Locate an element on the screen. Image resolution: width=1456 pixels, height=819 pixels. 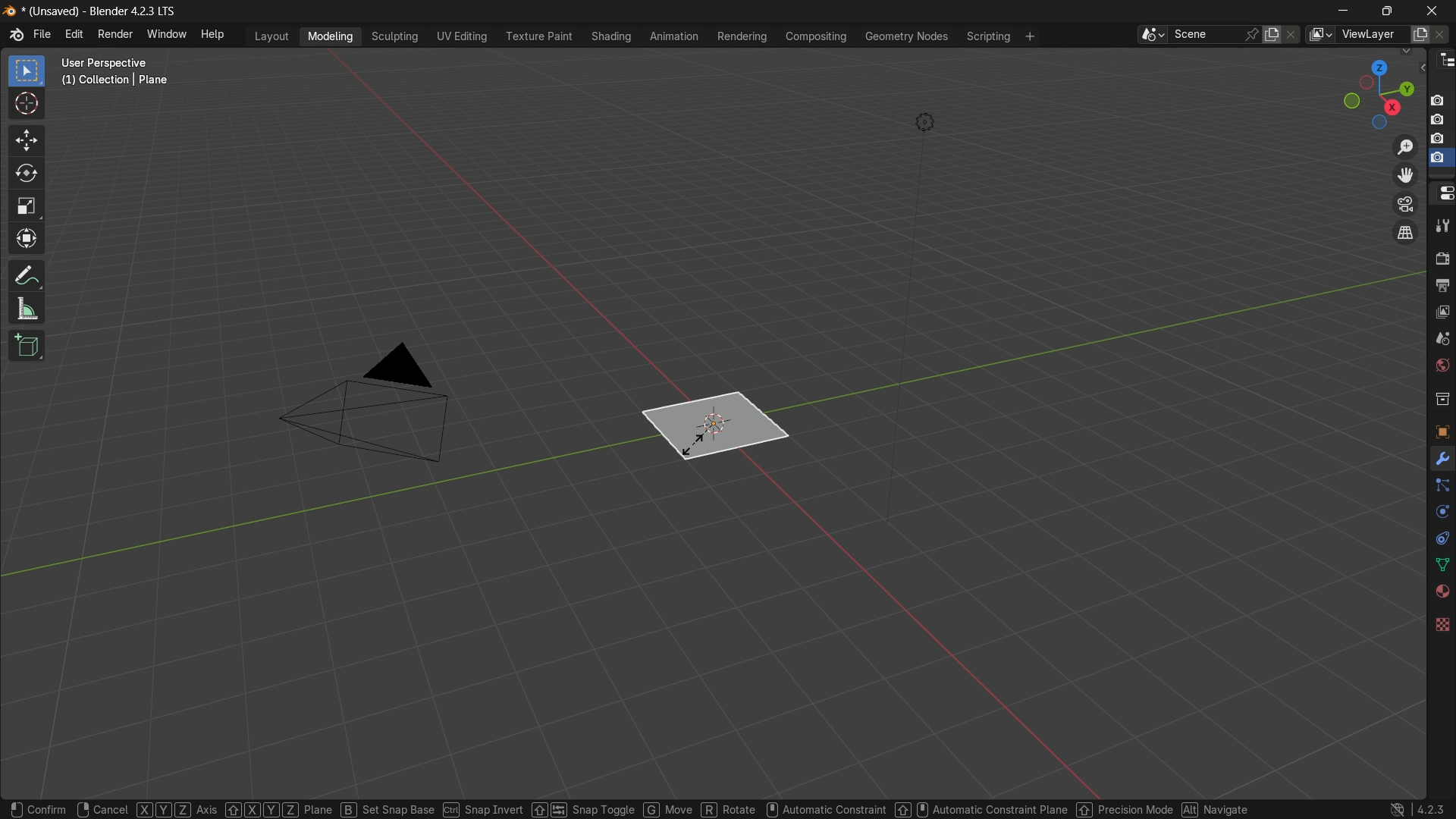
percision mode is located at coordinates (1123, 805).